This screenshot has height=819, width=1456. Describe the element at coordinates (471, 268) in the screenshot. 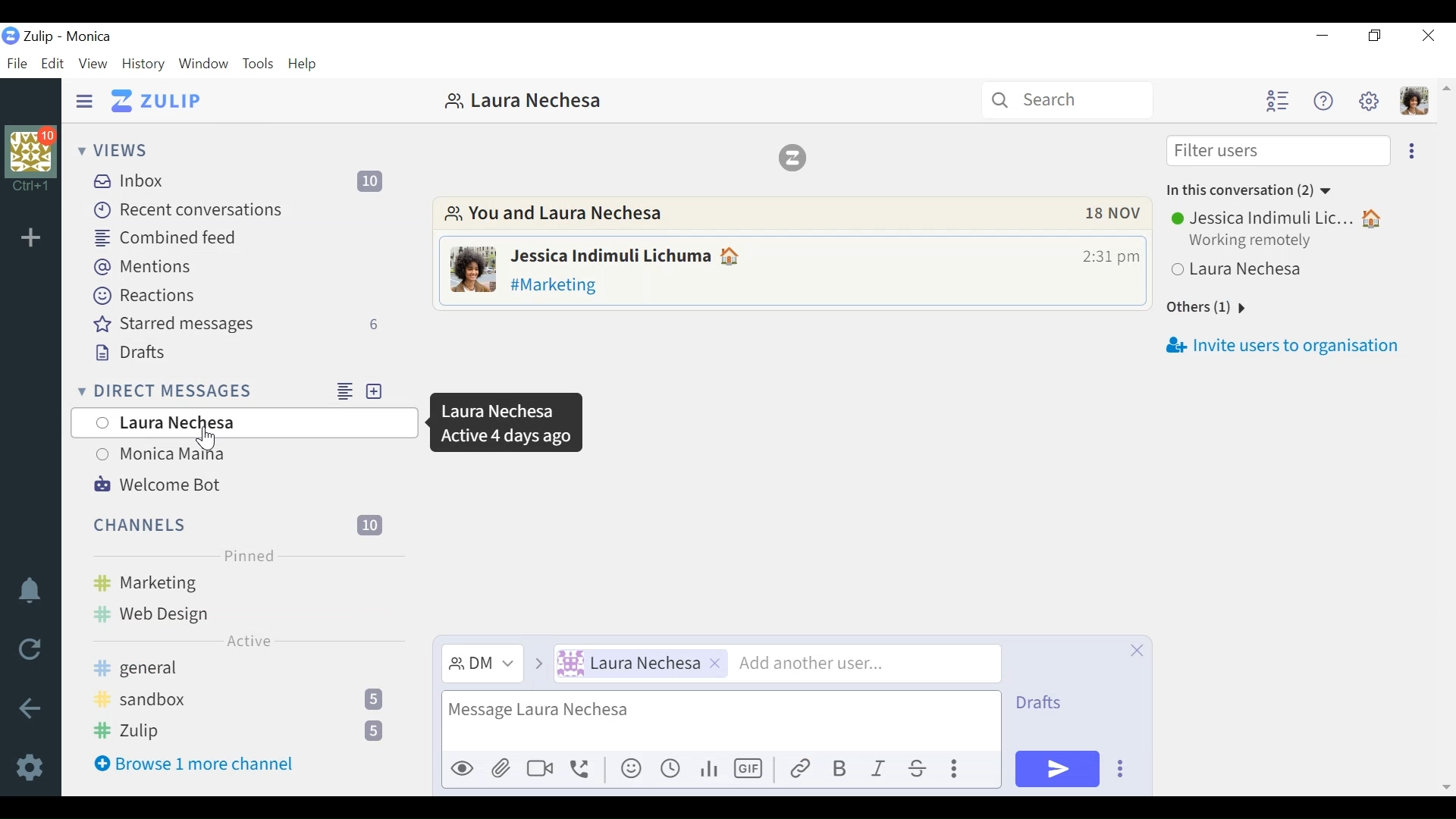

I see `User profile photo` at that location.